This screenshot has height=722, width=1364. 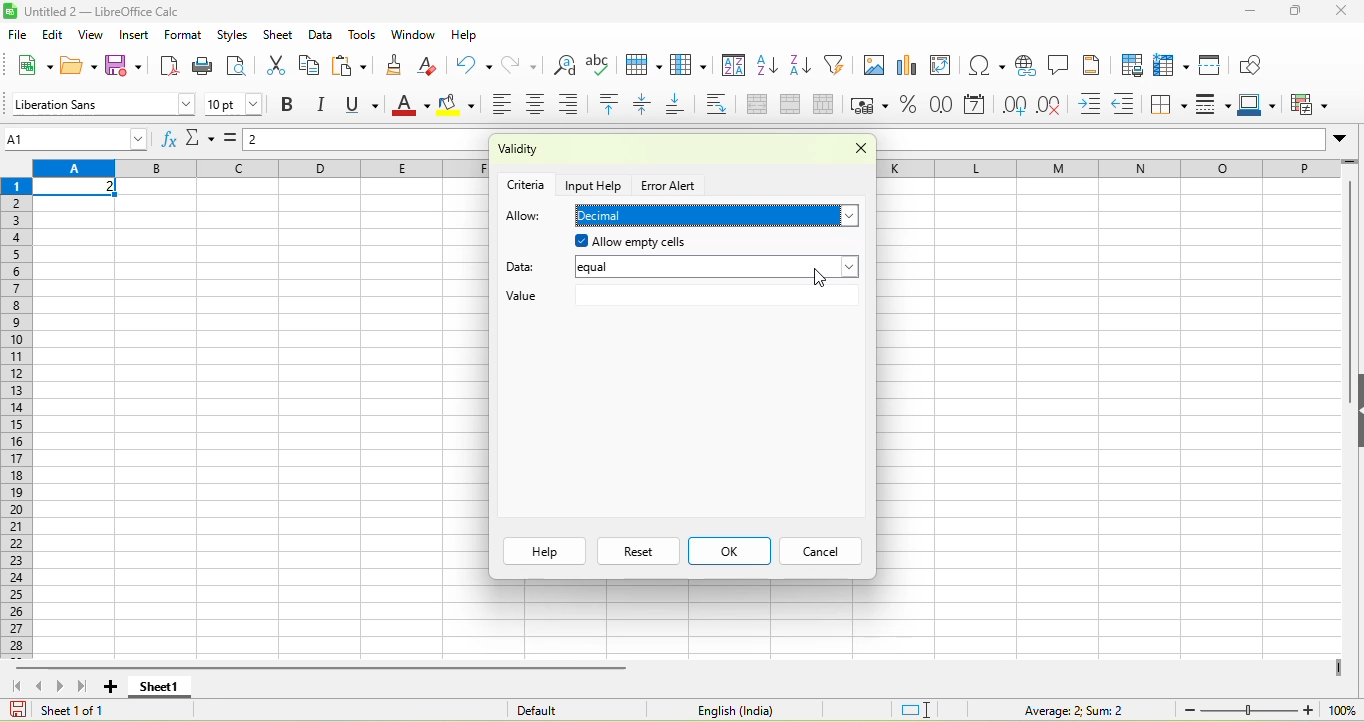 What do you see at coordinates (239, 67) in the screenshot?
I see `print preview` at bounding box center [239, 67].